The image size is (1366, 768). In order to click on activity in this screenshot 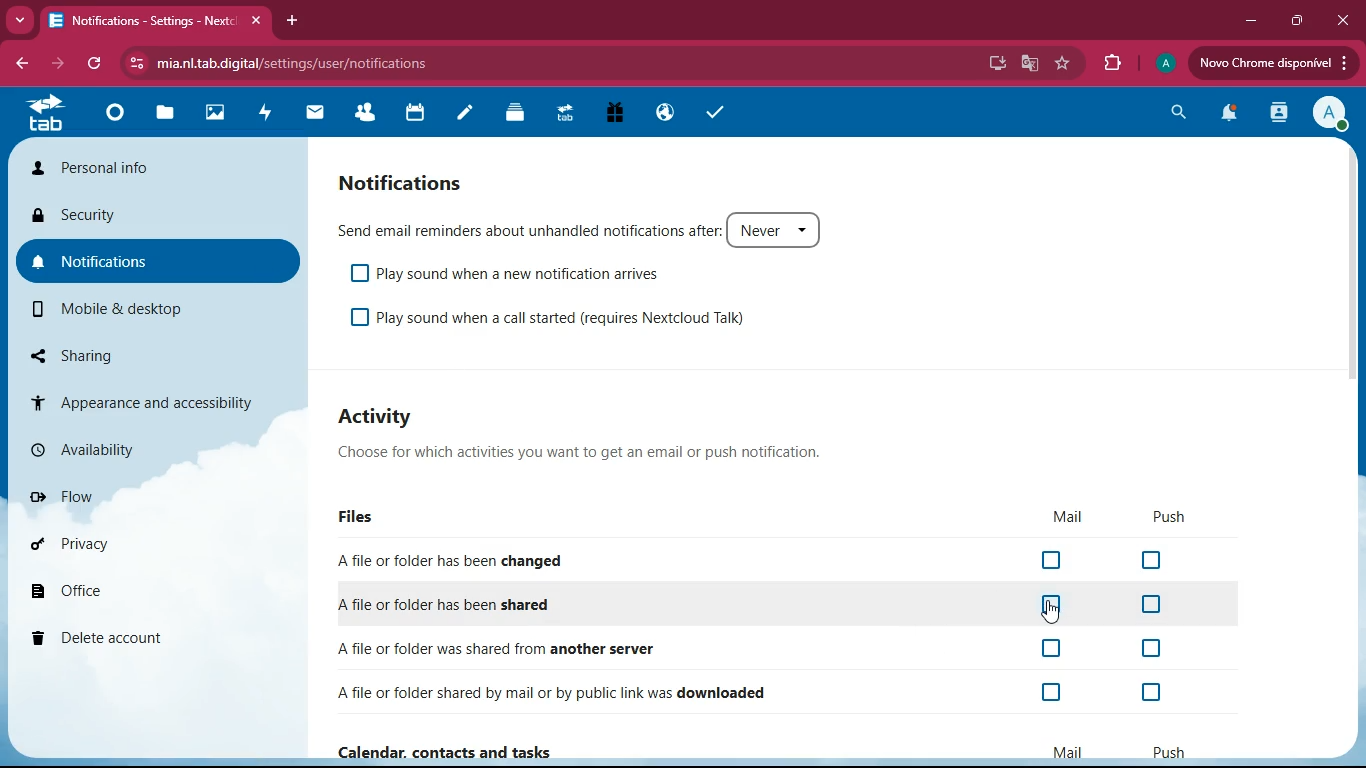, I will do `click(1275, 112)`.